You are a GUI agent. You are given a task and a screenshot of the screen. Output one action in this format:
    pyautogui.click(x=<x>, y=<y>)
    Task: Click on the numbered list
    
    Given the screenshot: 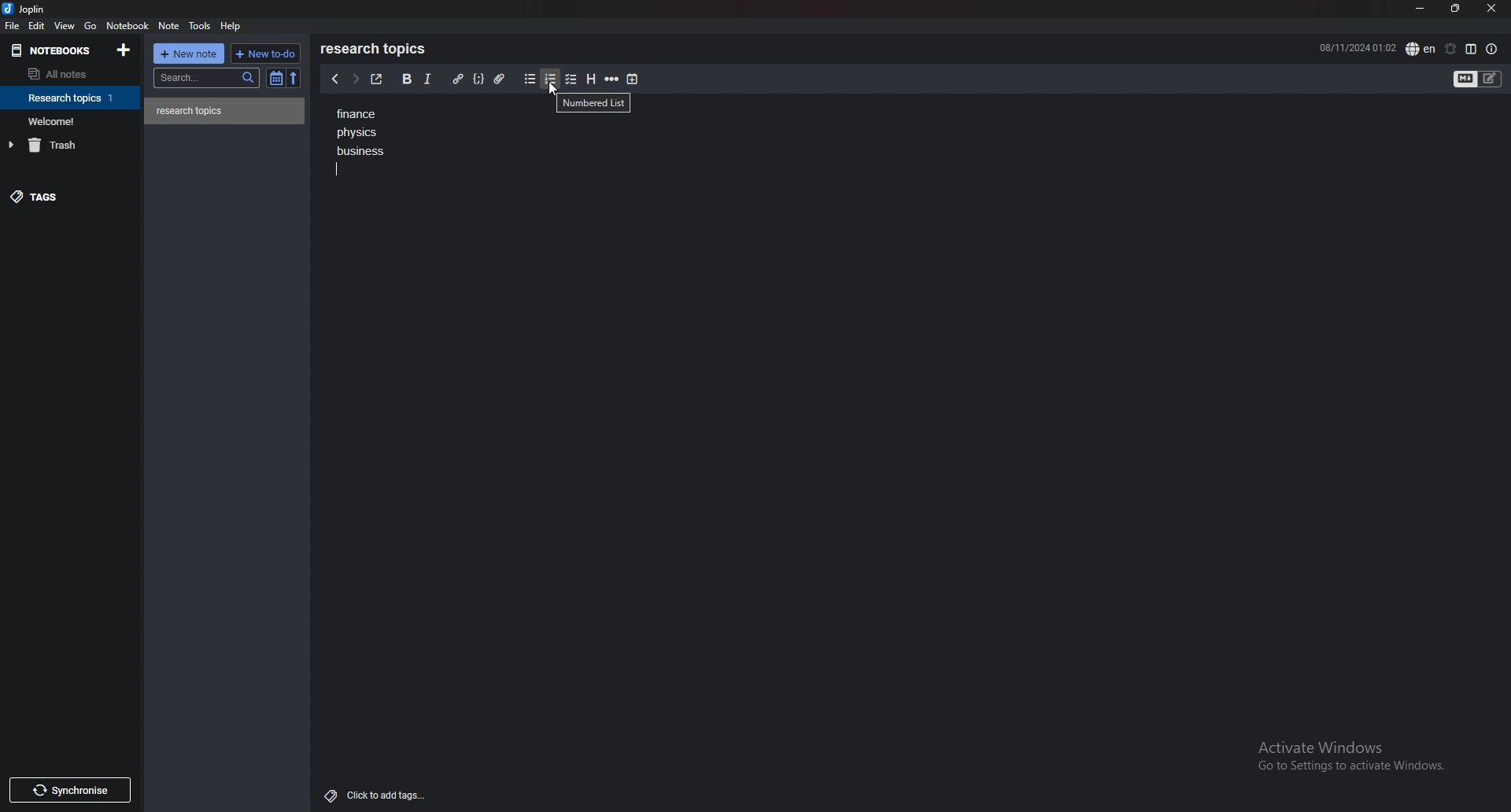 What is the action you would take?
    pyautogui.click(x=594, y=103)
    